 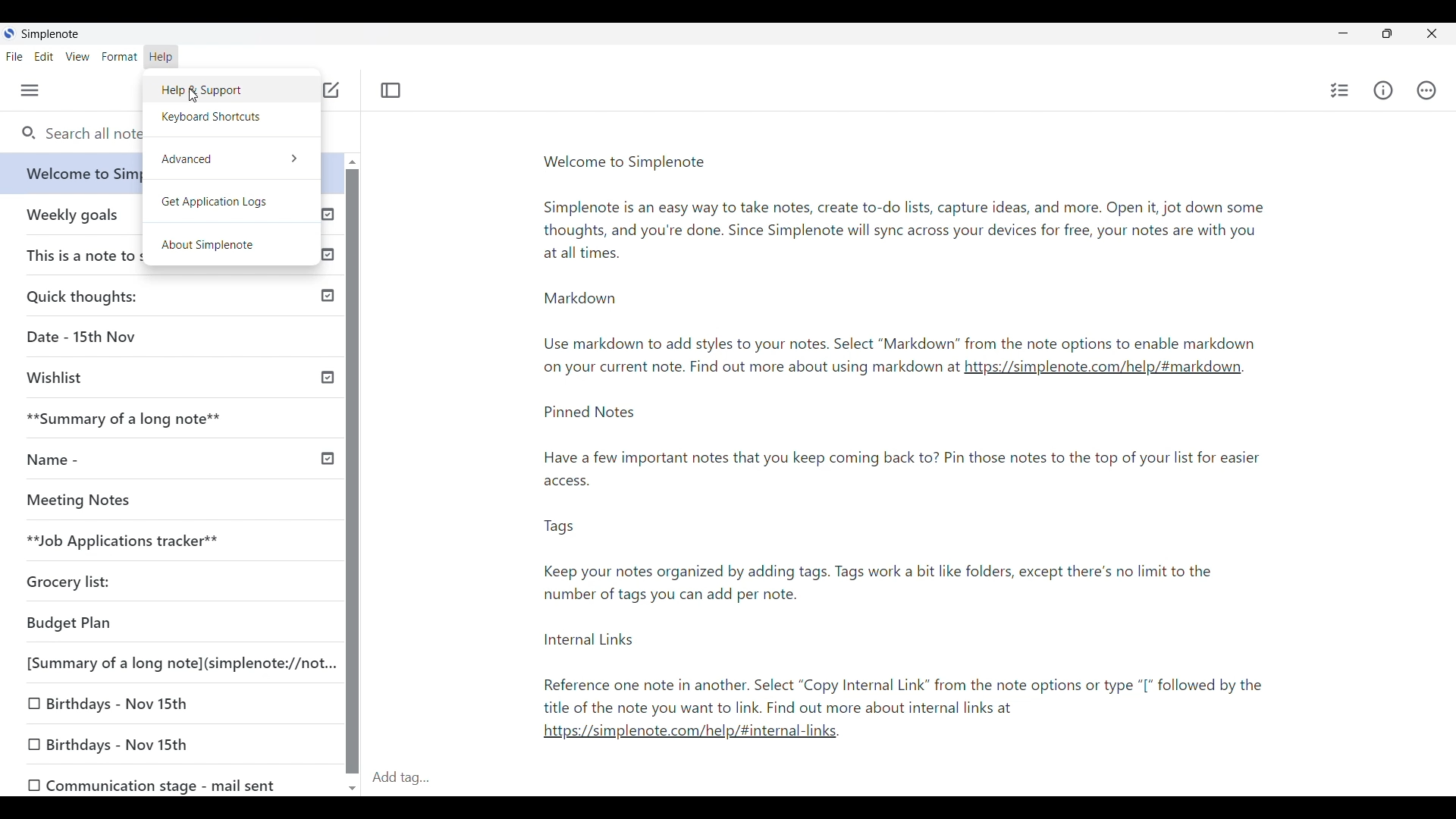 I want to click on Advanced , so click(x=231, y=158).